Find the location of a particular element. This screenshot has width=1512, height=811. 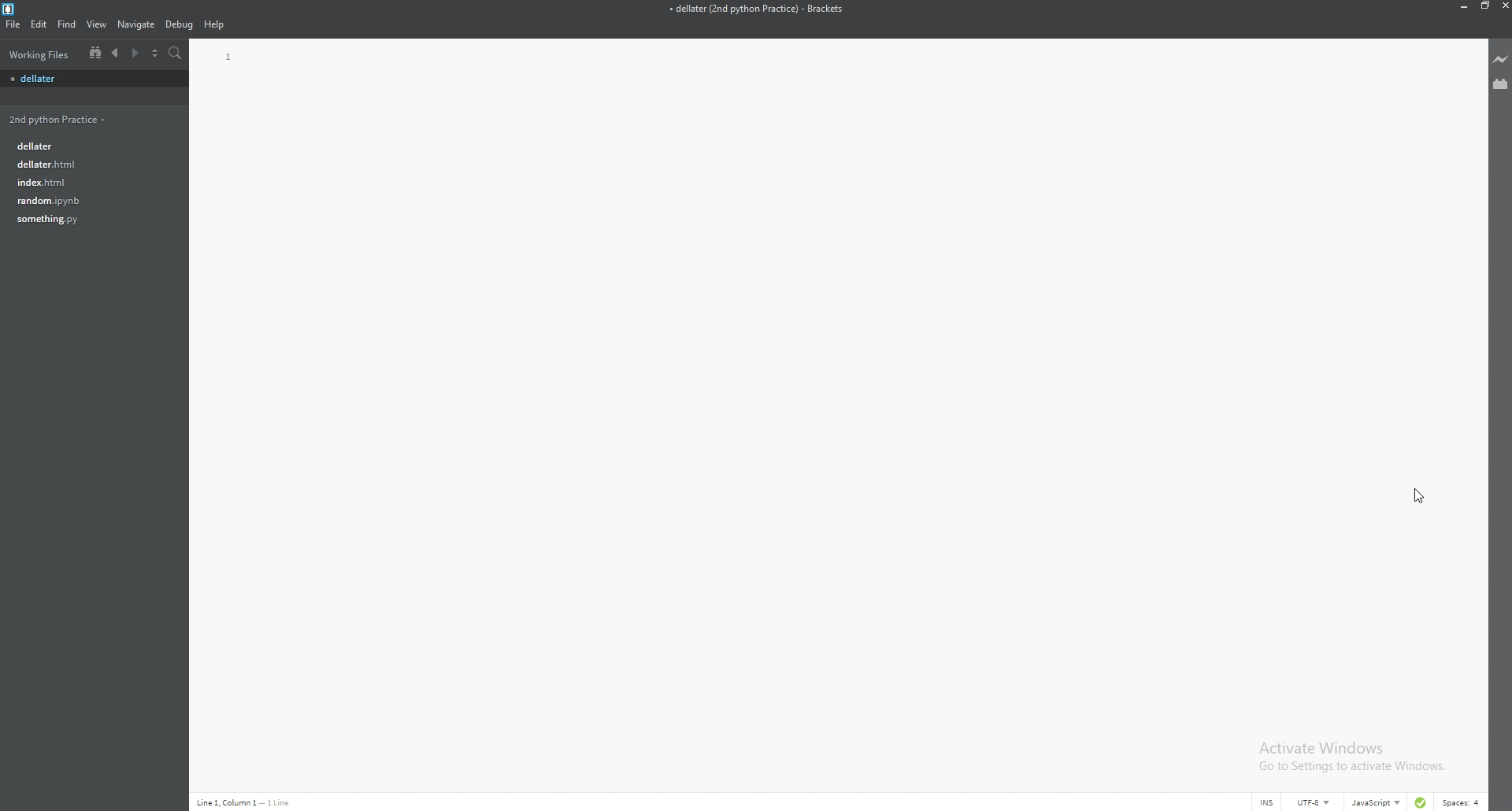

file is located at coordinates (85, 146).